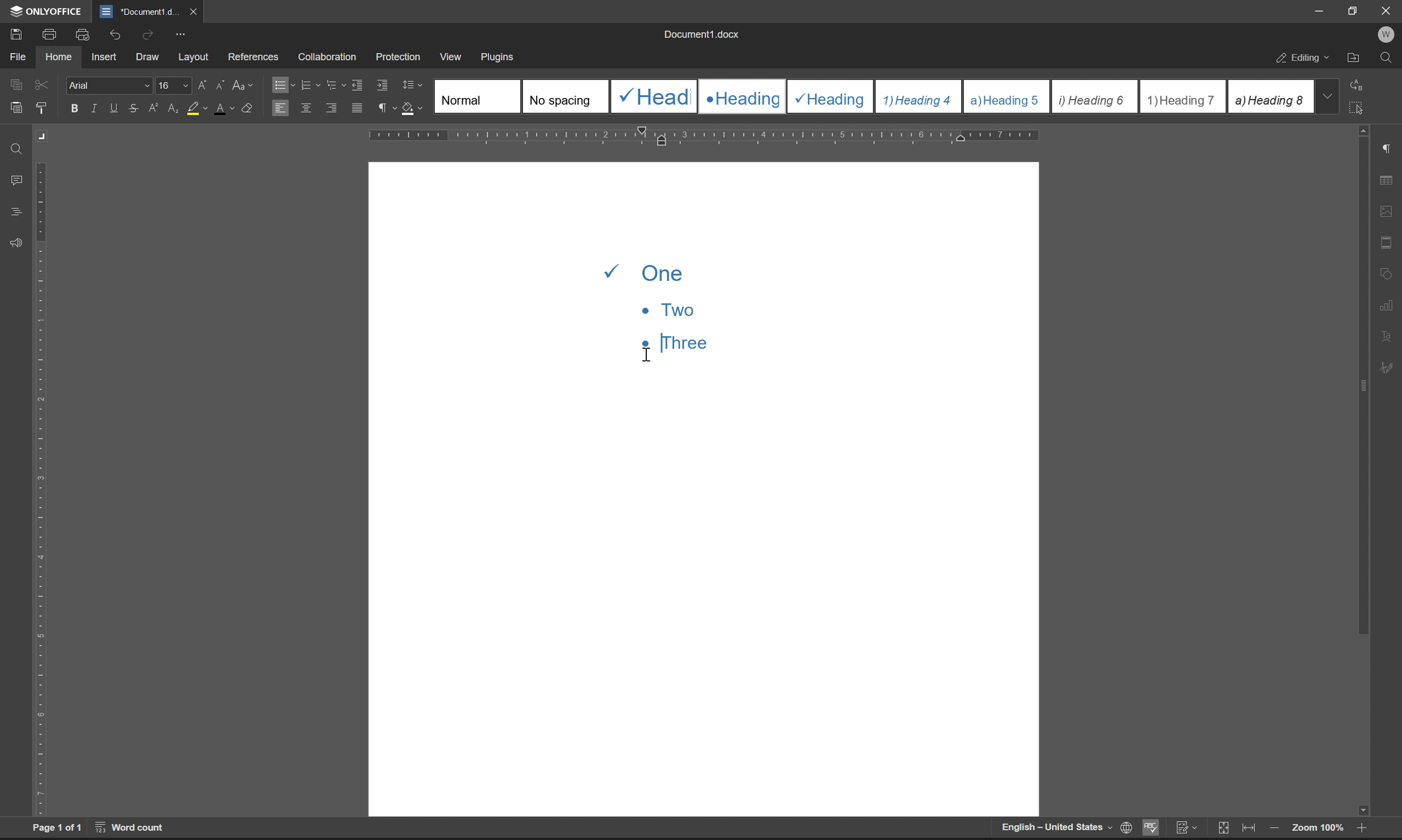  Describe the element at coordinates (58, 55) in the screenshot. I see `home` at that location.